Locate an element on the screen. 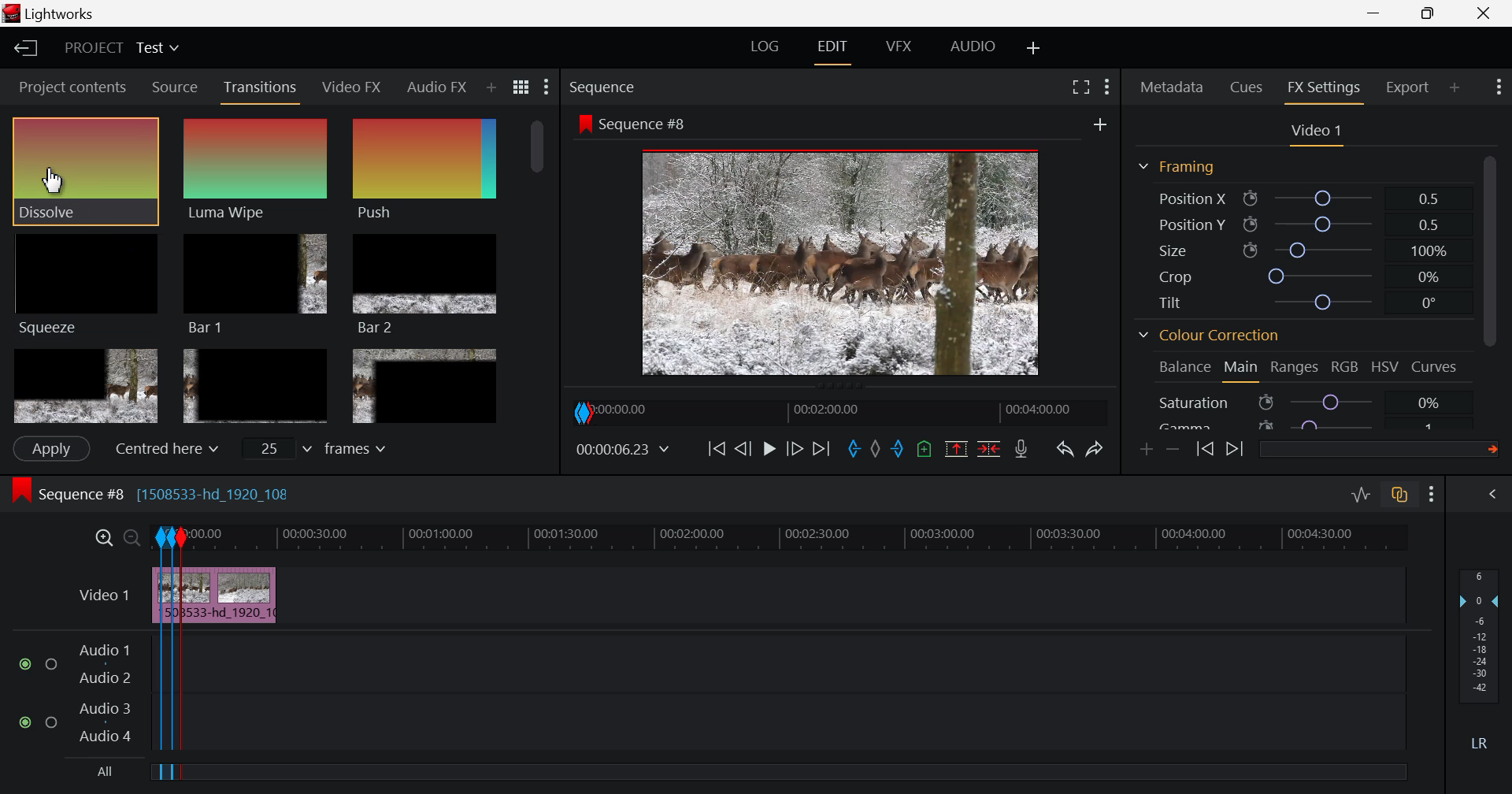 This screenshot has width=1512, height=794. Go Forward is located at coordinates (795, 451).